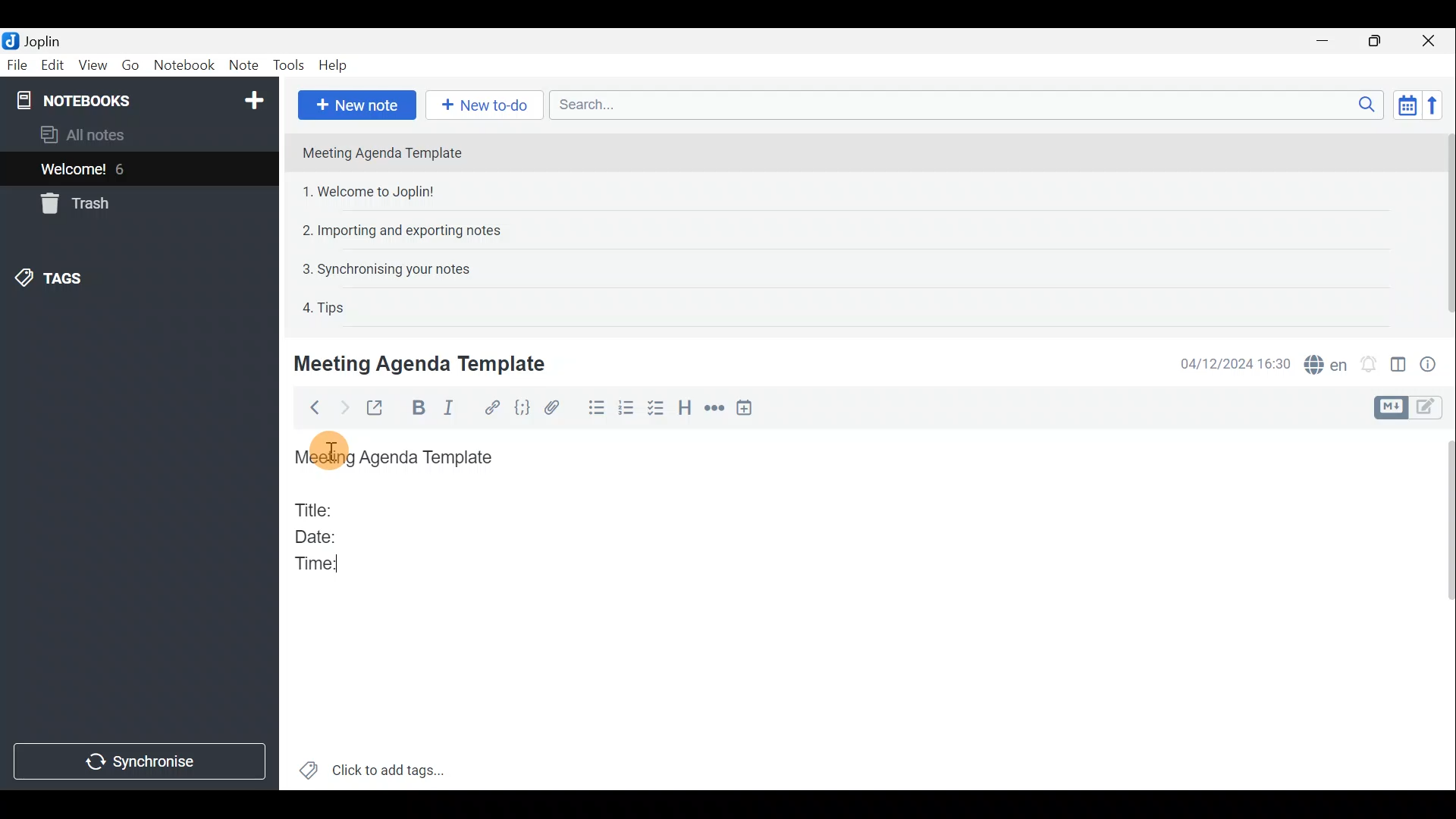 The width and height of the screenshot is (1456, 819). What do you see at coordinates (457, 408) in the screenshot?
I see `Italic` at bounding box center [457, 408].